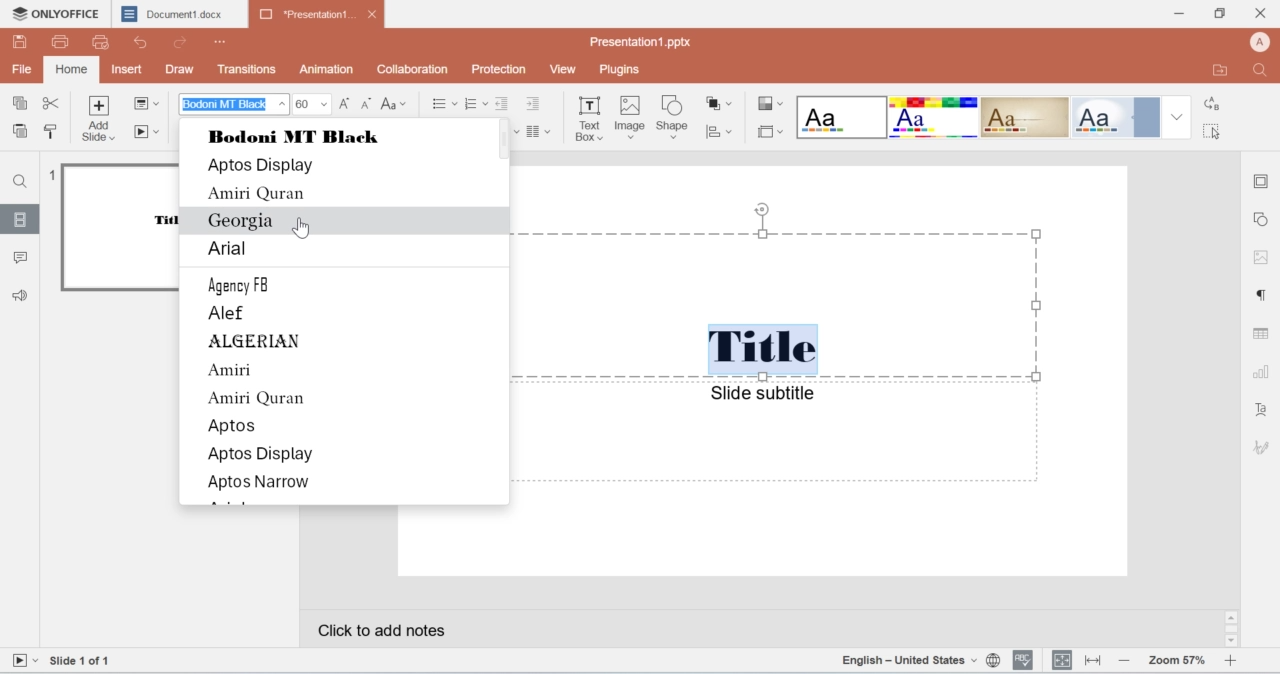  I want to click on Cursor, so click(301, 227).